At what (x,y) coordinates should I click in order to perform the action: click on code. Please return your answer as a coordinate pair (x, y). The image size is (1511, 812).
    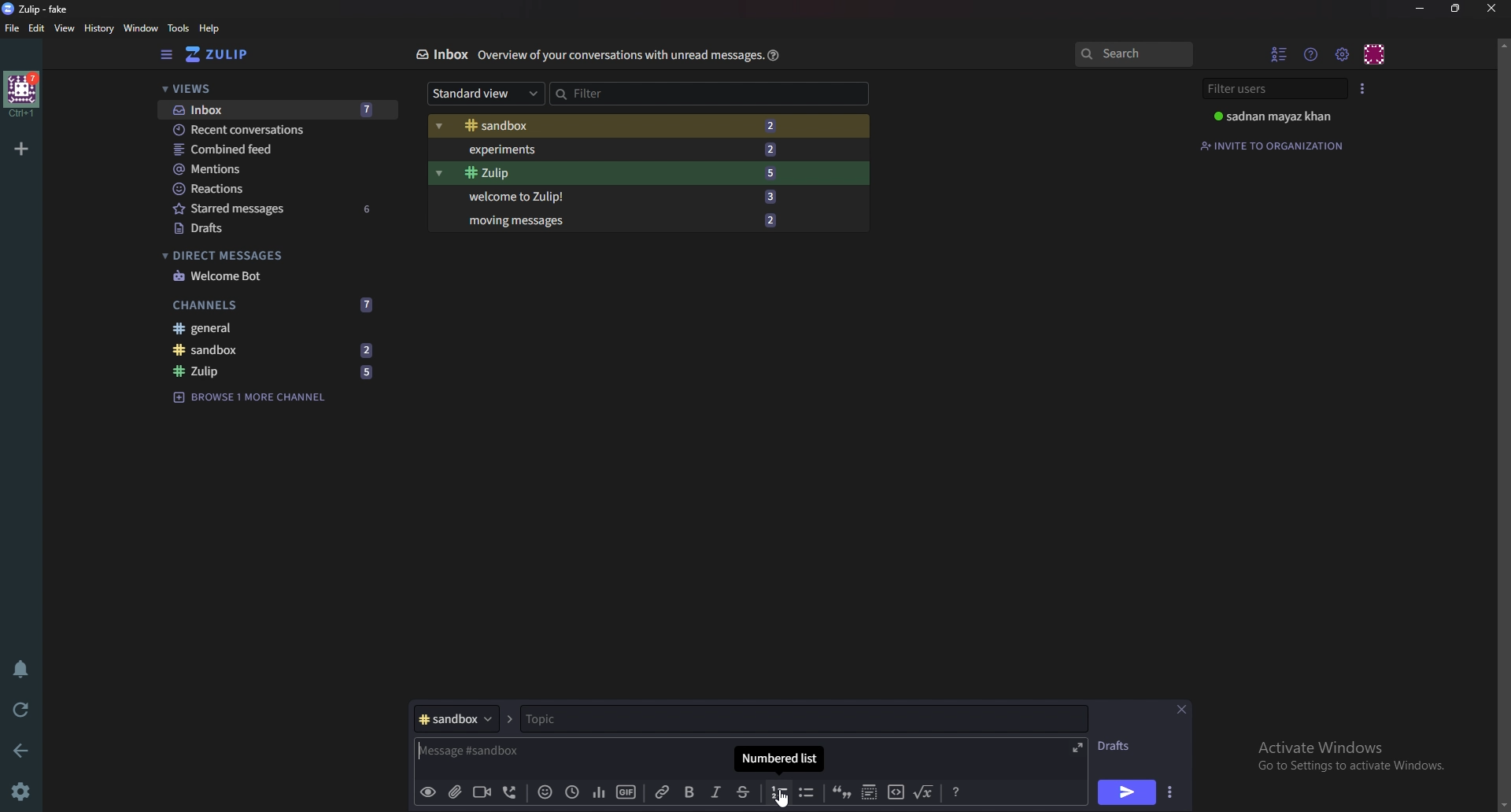
    Looking at the image, I should click on (895, 794).